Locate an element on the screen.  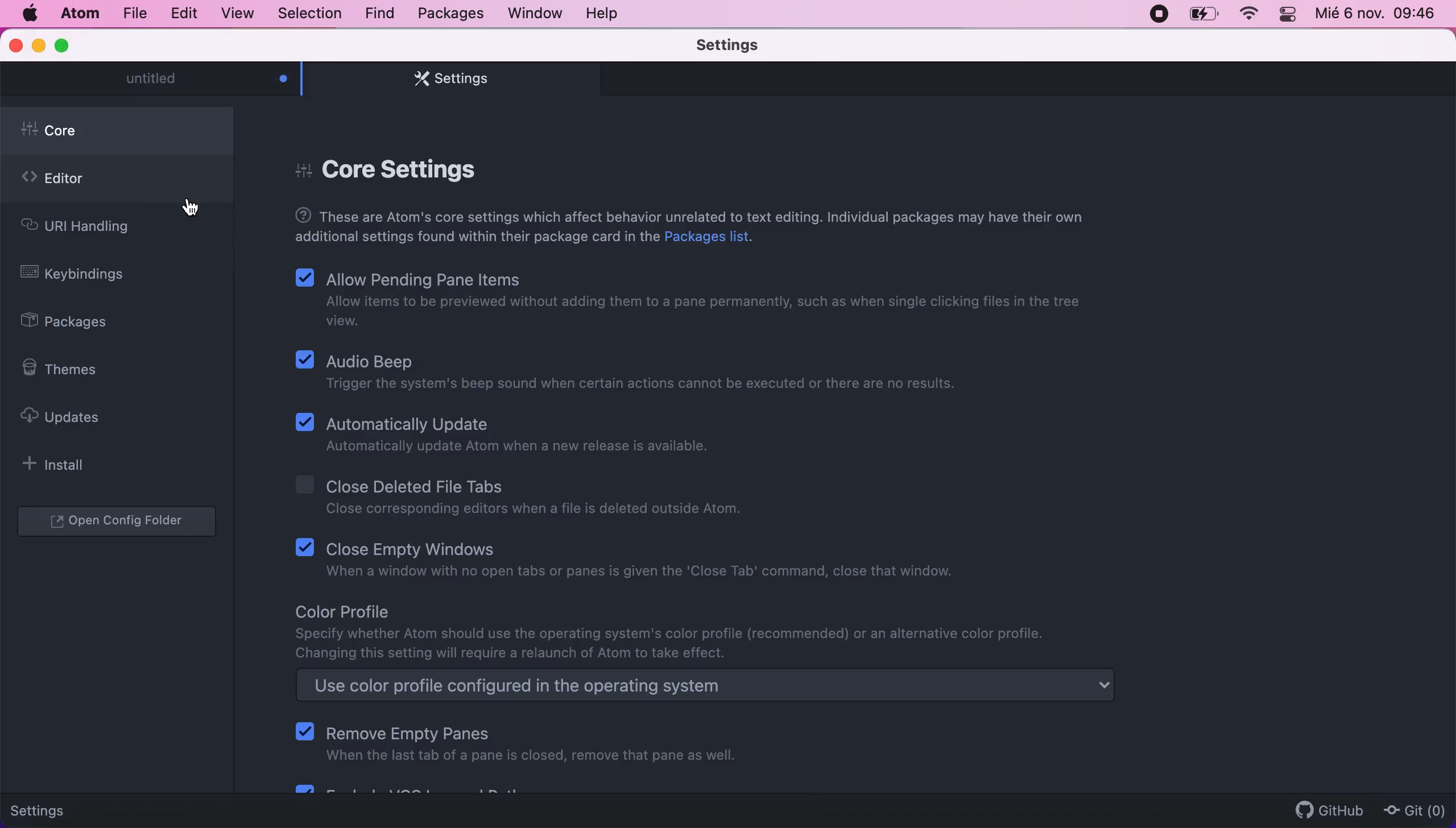
untitled is located at coordinates (154, 77).